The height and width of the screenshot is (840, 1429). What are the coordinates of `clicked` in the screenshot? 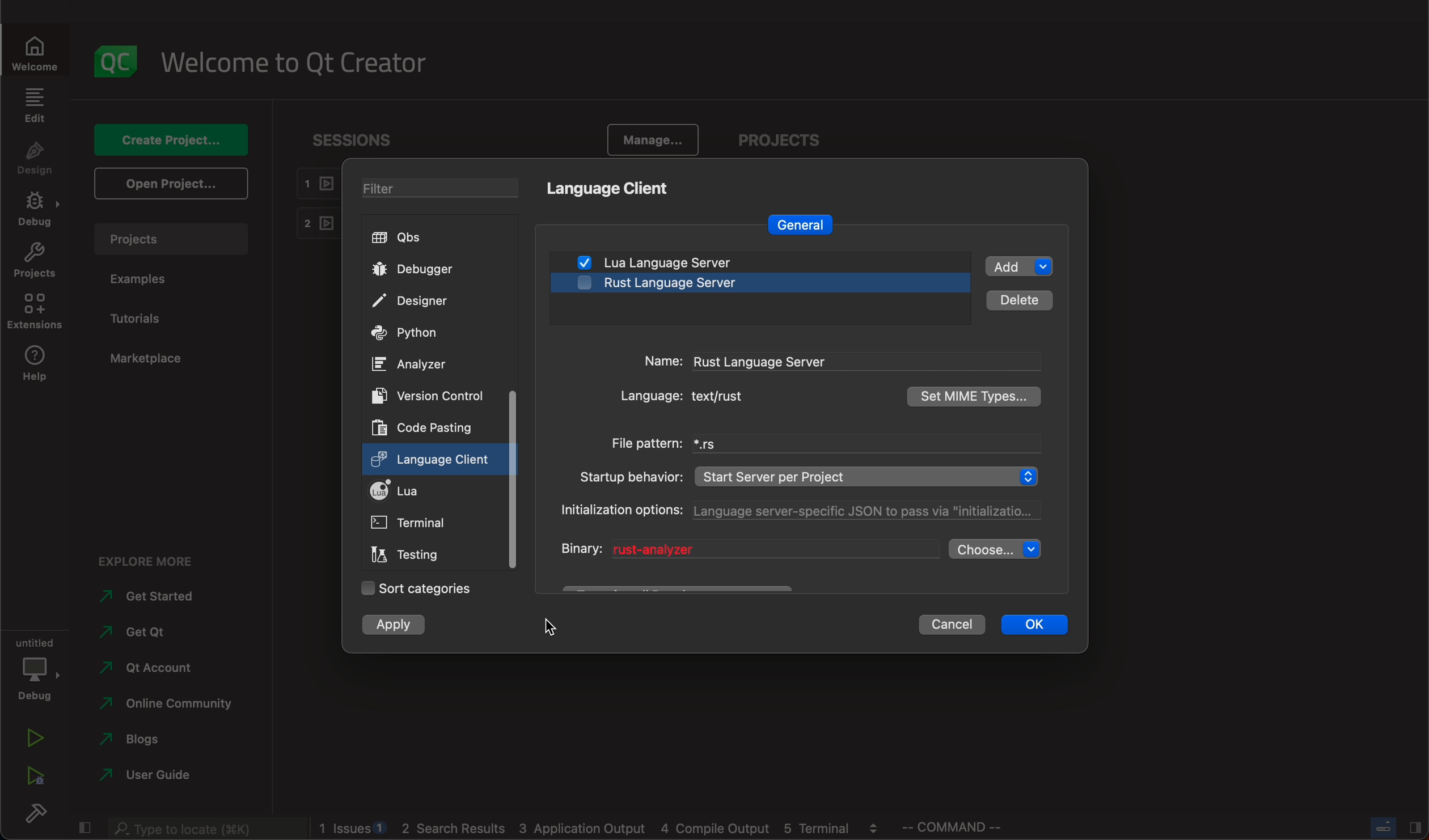 It's located at (394, 626).